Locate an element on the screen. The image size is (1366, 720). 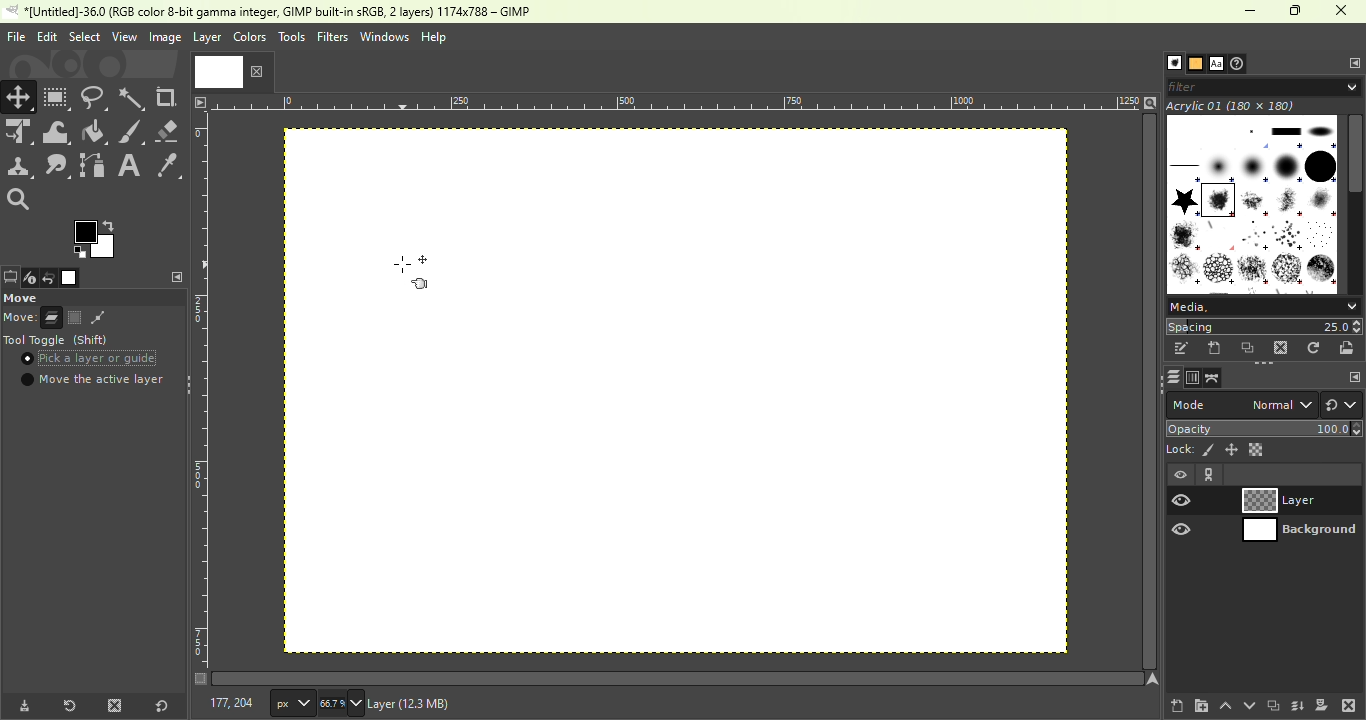
Edit is located at coordinates (46, 36).